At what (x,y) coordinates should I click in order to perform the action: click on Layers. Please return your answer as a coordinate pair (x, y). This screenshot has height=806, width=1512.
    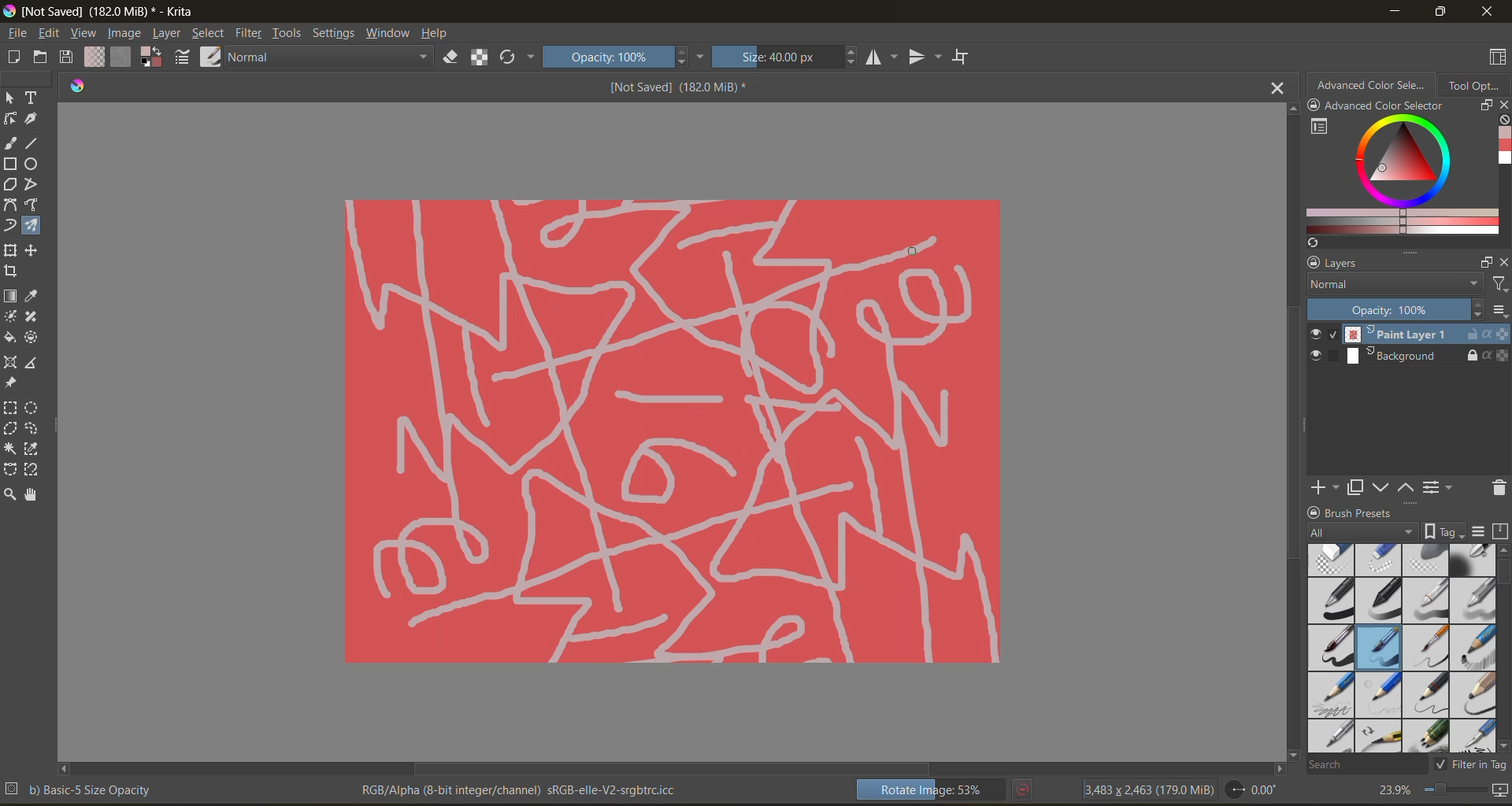
    Looking at the image, I should click on (1350, 263).